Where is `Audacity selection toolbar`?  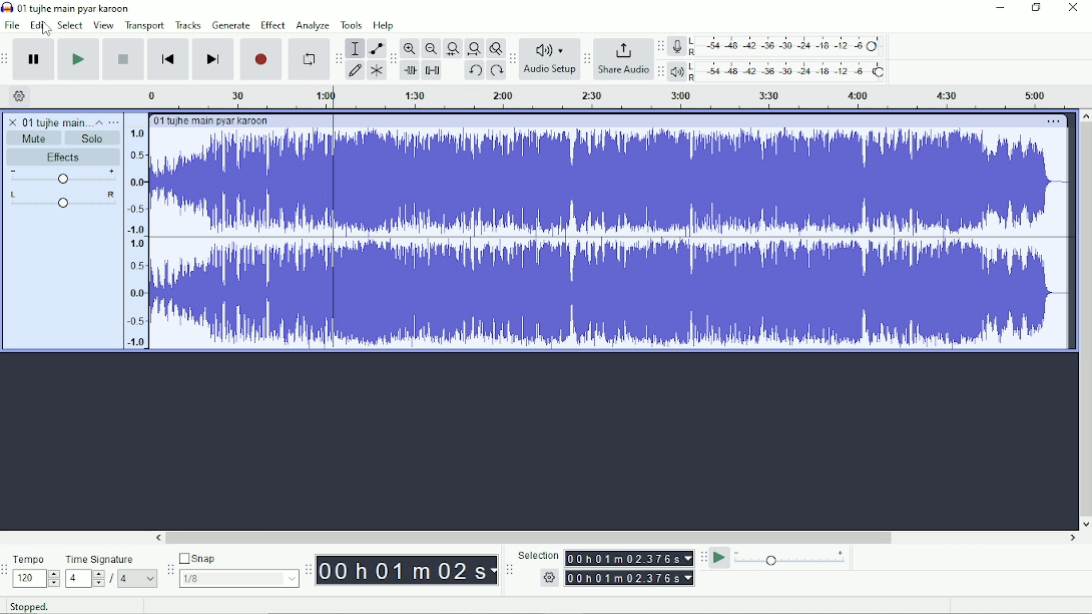
Audacity selection toolbar is located at coordinates (509, 570).